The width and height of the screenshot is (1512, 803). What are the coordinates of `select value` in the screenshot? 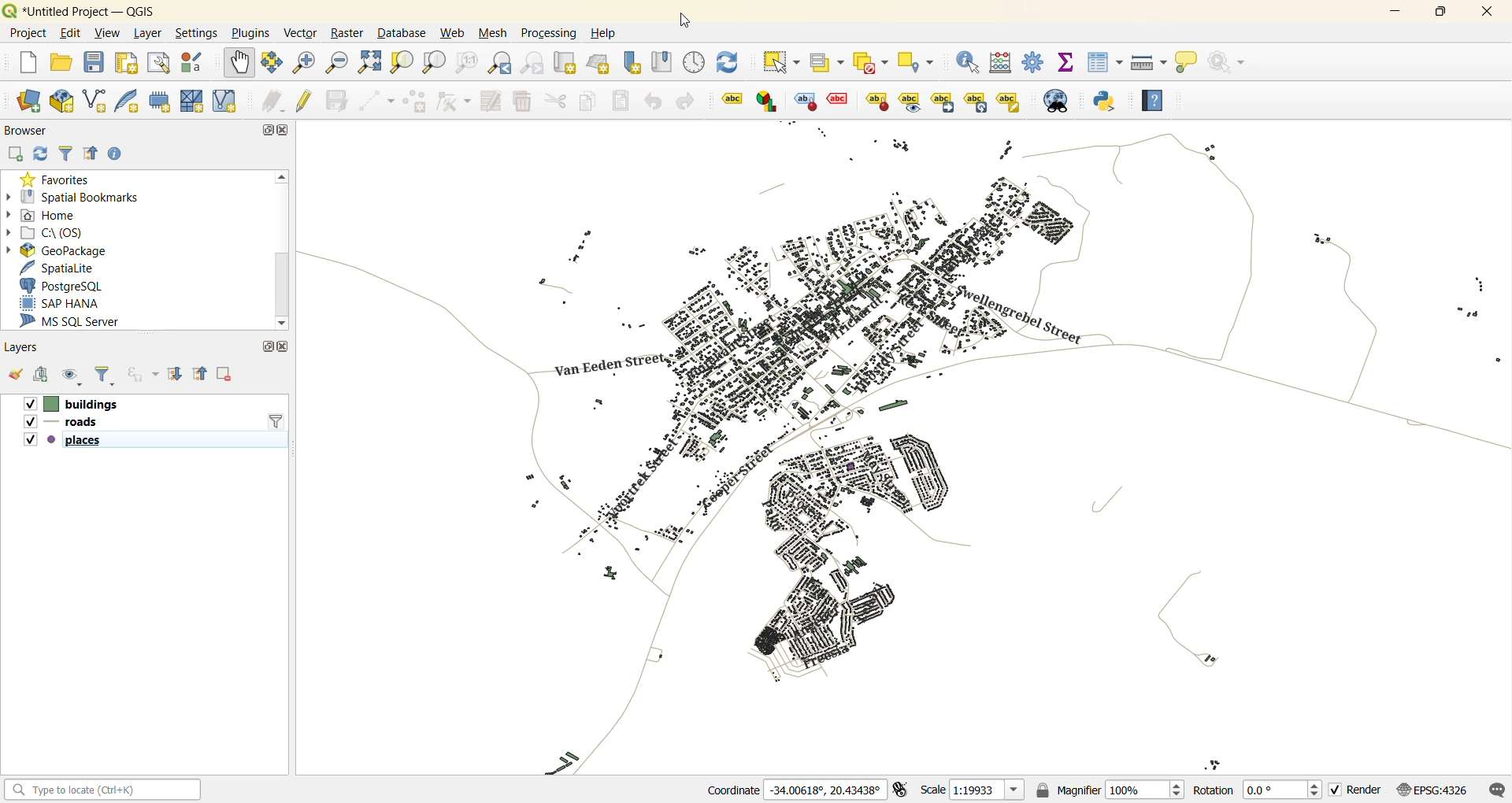 It's located at (827, 63).